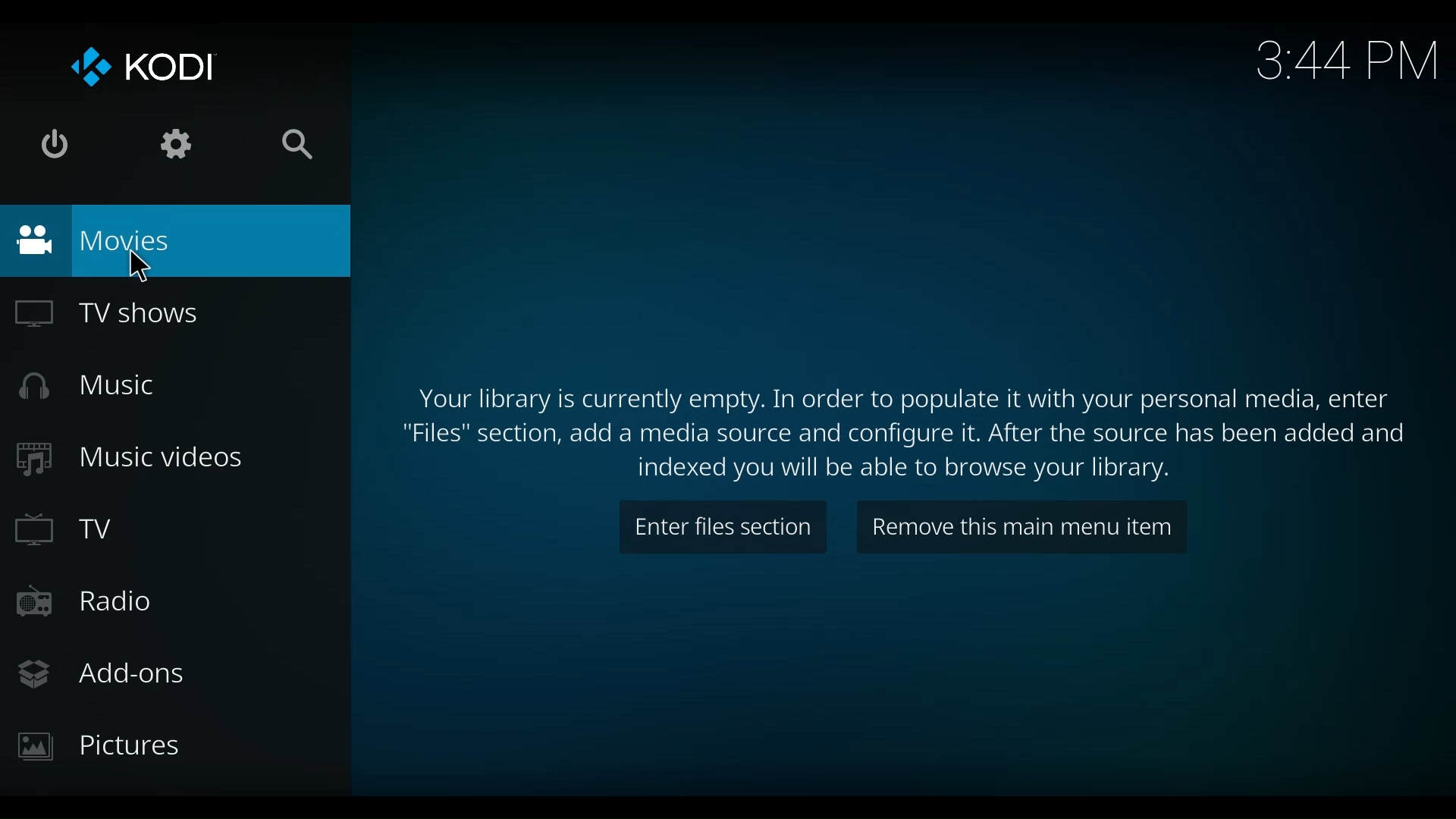  What do you see at coordinates (74, 530) in the screenshot?
I see `TV` at bounding box center [74, 530].